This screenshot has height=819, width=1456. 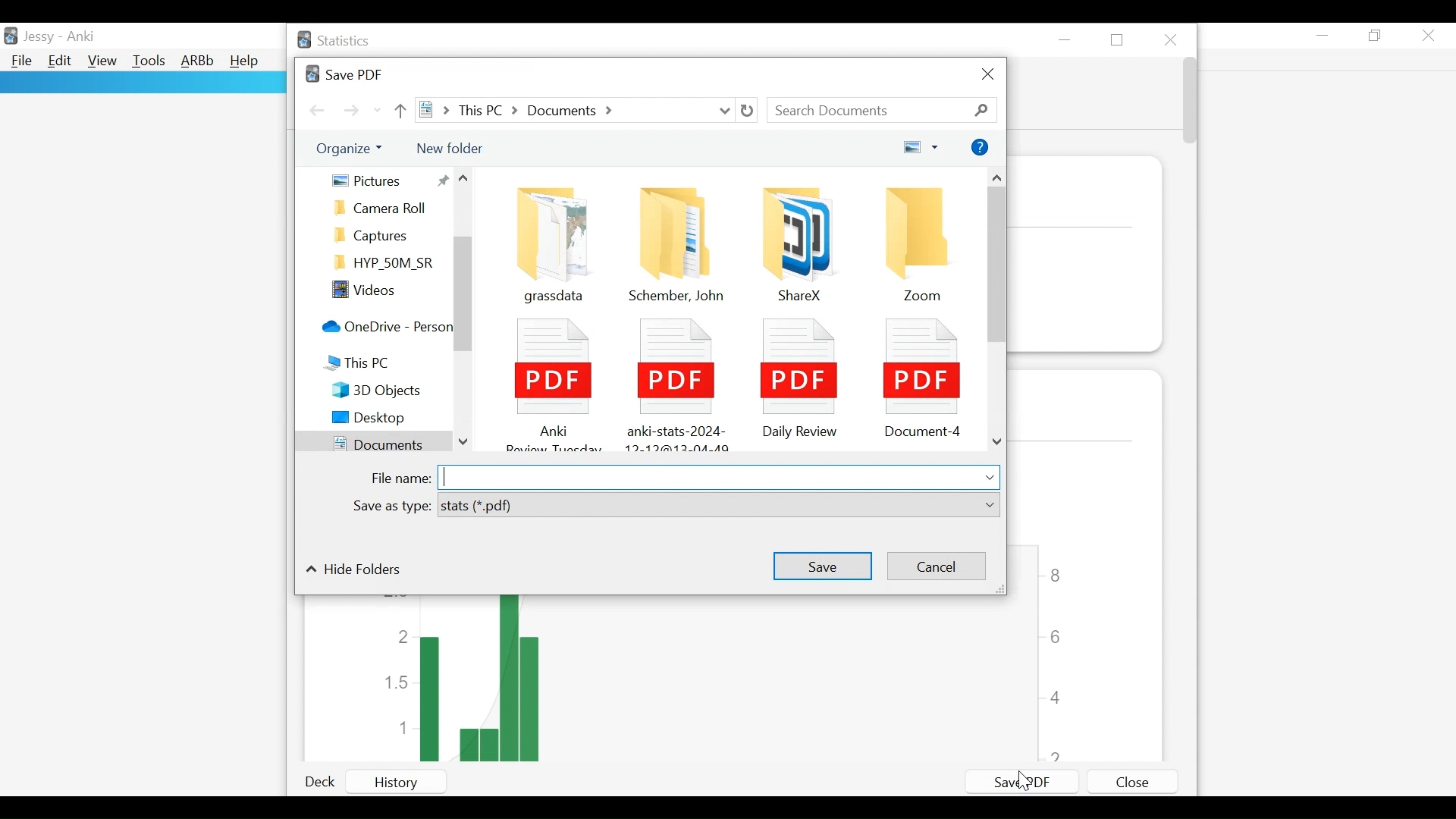 I want to click on Search Fields, so click(x=883, y=110).